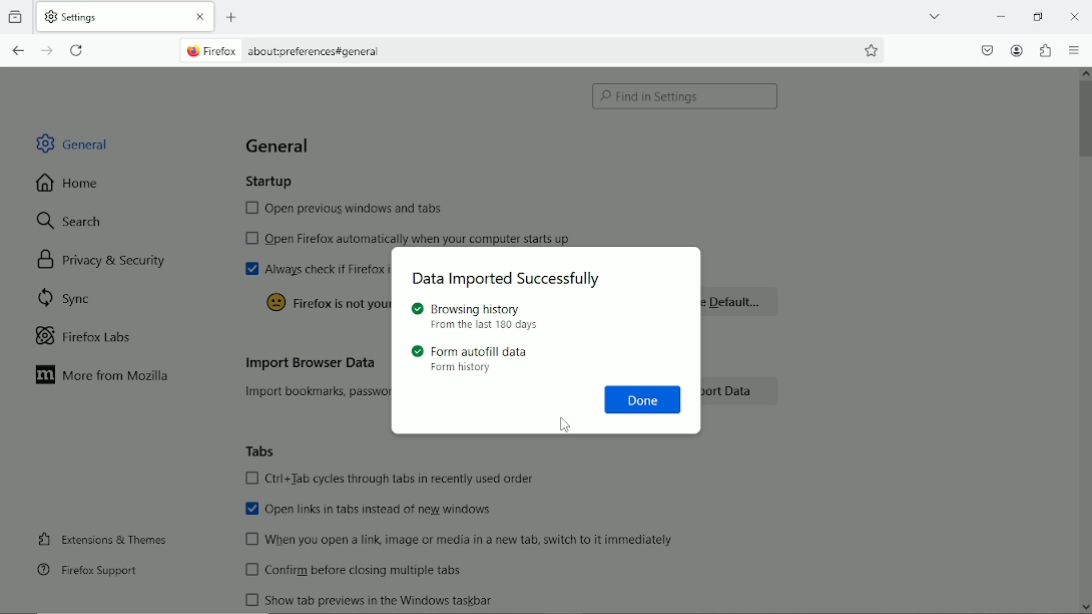 The width and height of the screenshot is (1092, 614). What do you see at coordinates (872, 50) in the screenshot?
I see `Bookmark this page` at bounding box center [872, 50].